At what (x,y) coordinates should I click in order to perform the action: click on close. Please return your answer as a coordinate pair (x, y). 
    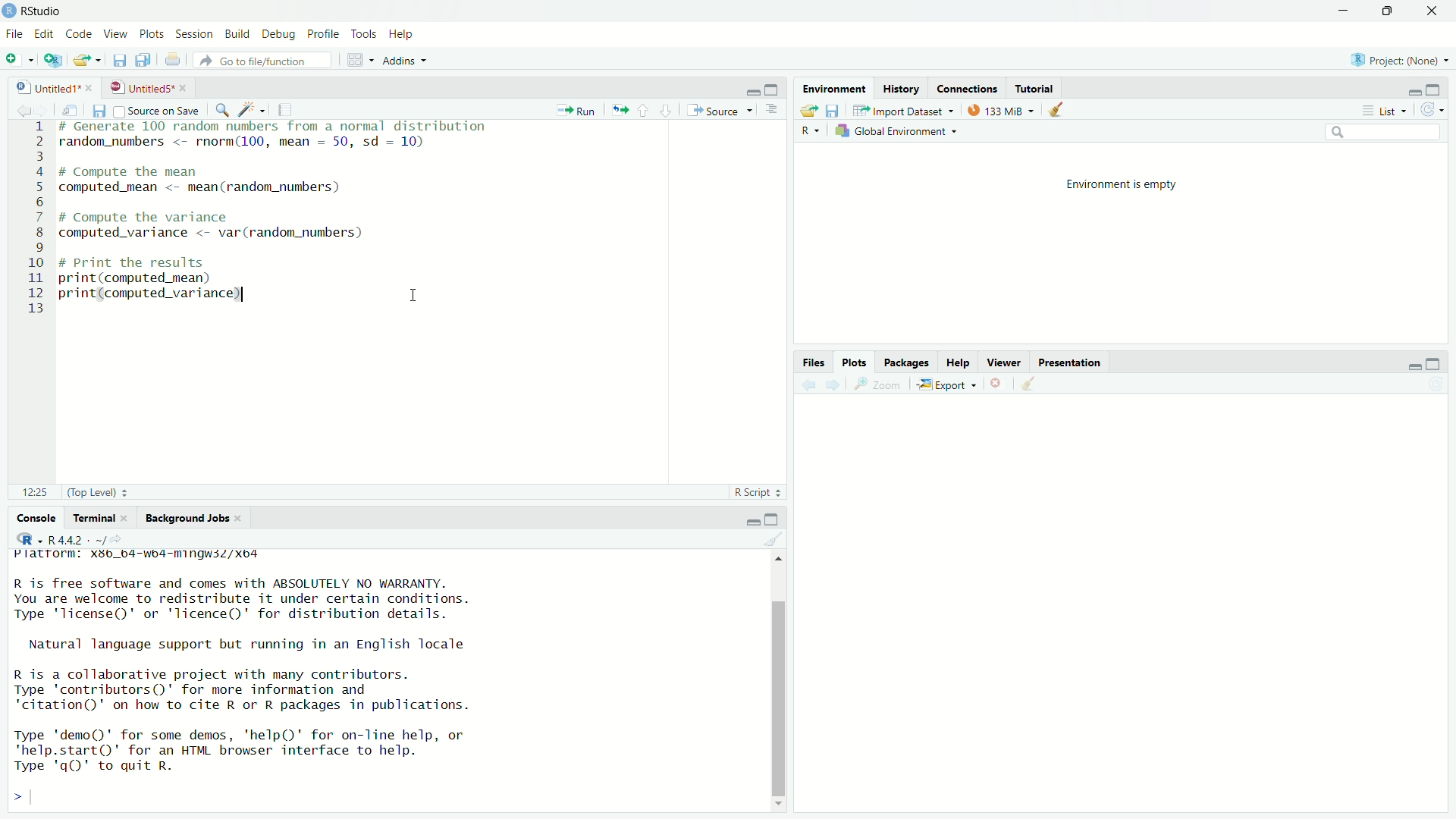
    Looking at the image, I should click on (1436, 11).